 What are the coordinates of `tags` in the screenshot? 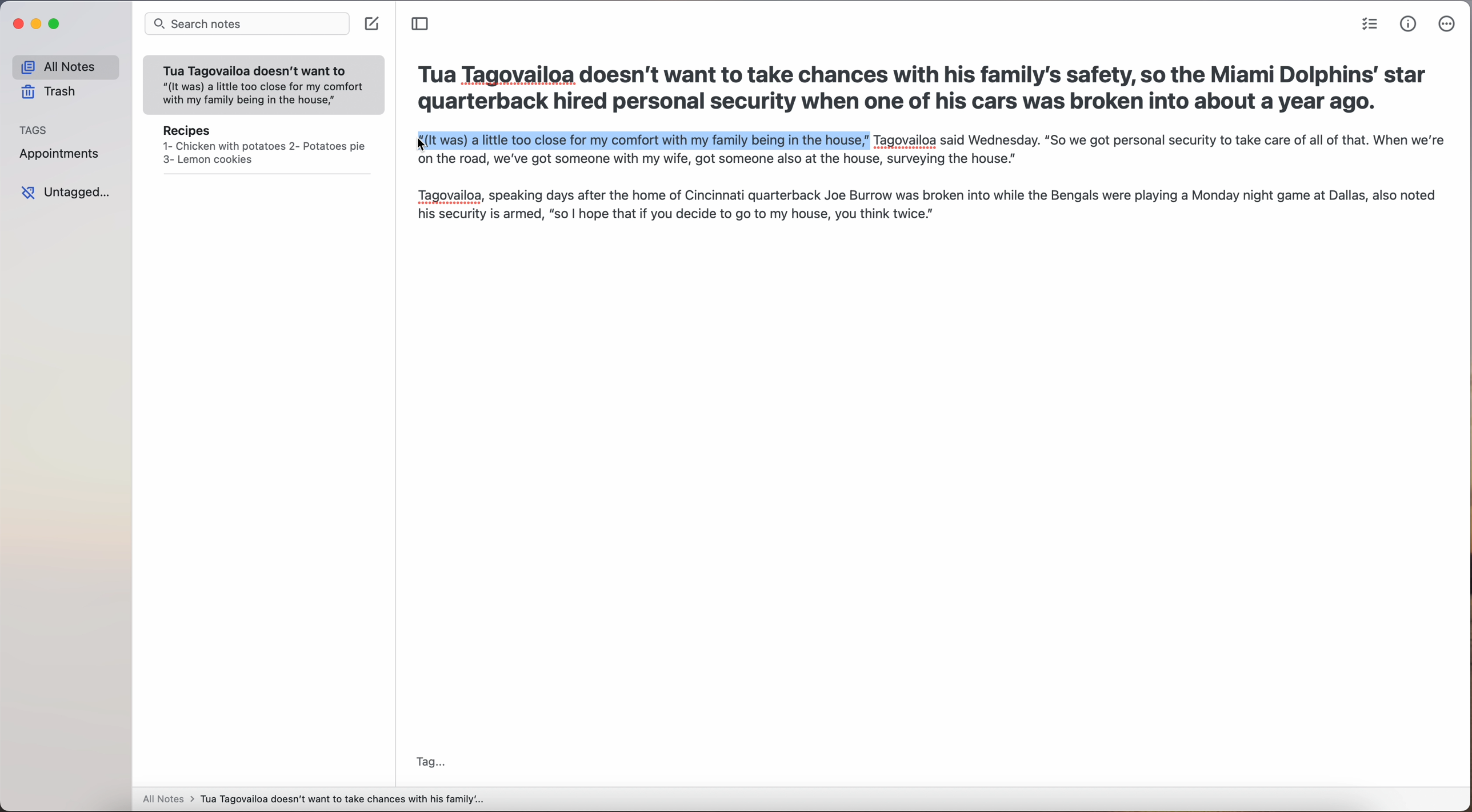 It's located at (34, 129).